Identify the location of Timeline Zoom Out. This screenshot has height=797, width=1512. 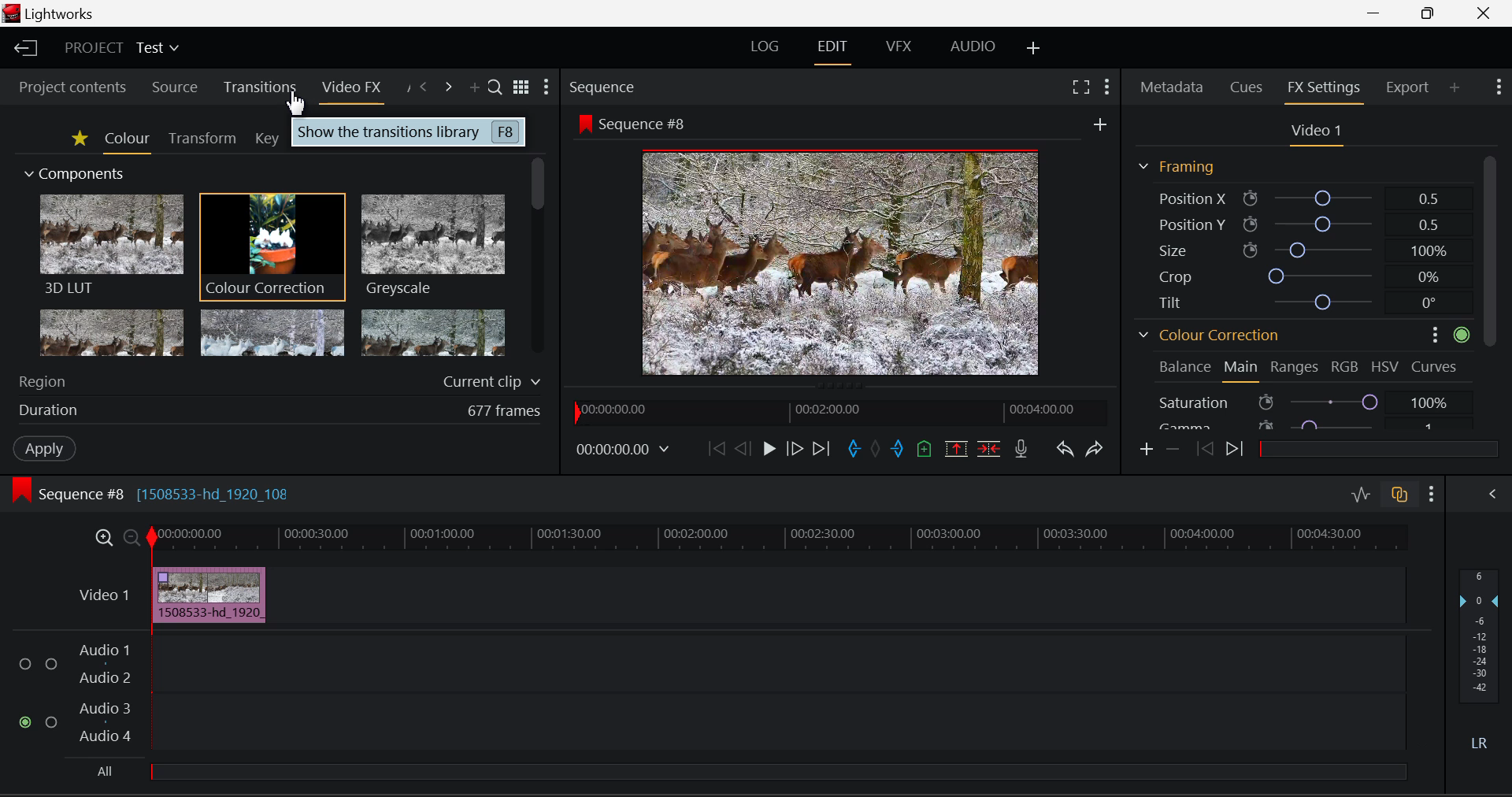
(132, 539).